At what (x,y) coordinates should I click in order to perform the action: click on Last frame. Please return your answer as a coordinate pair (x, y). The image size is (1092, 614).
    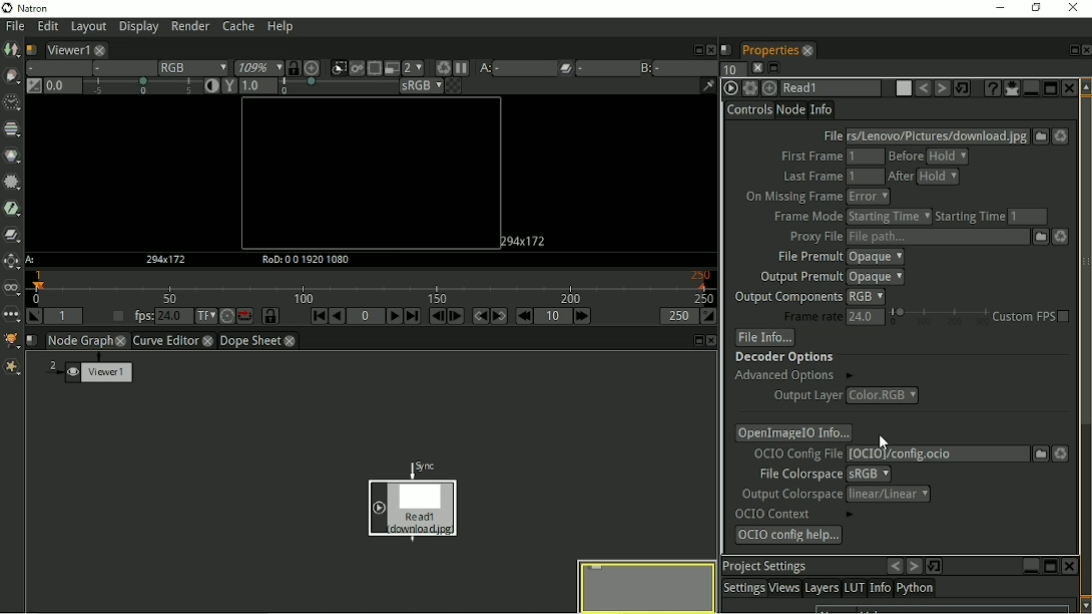
    Looking at the image, I should click on (413, 317).